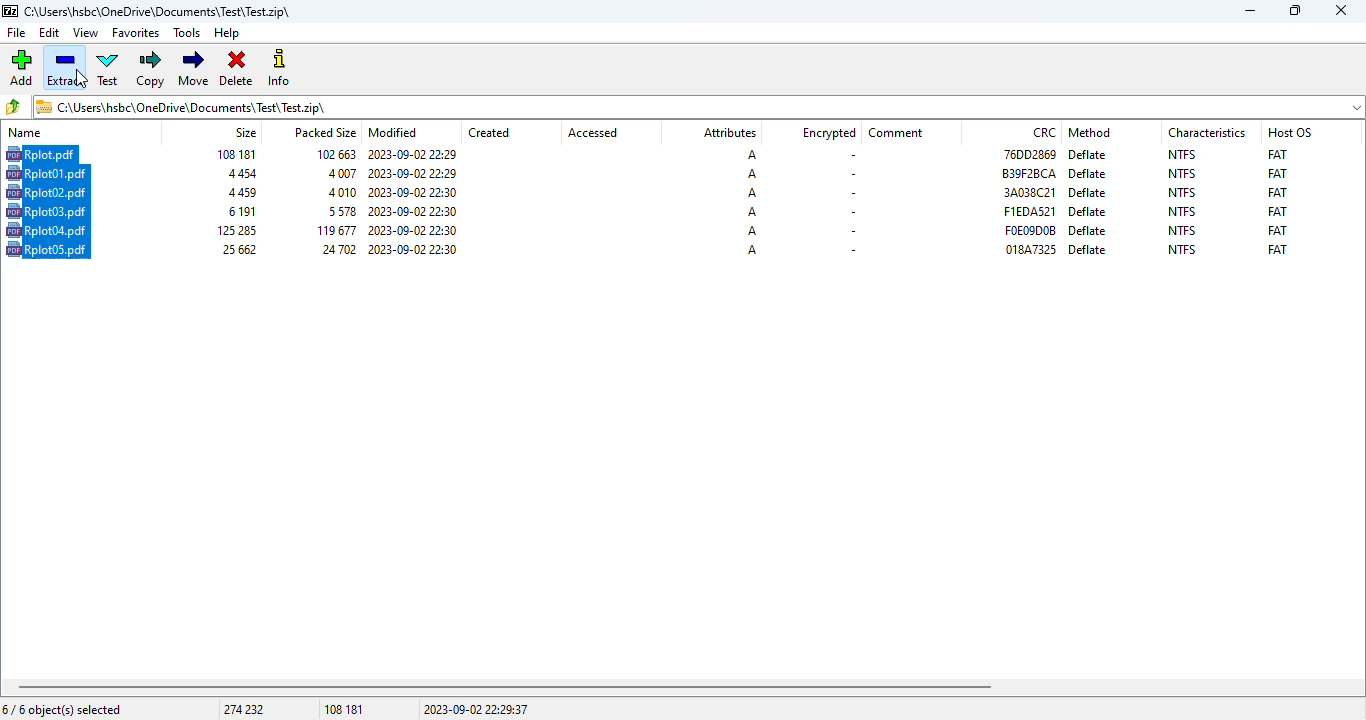  I want to click on size, so click(240, 211).